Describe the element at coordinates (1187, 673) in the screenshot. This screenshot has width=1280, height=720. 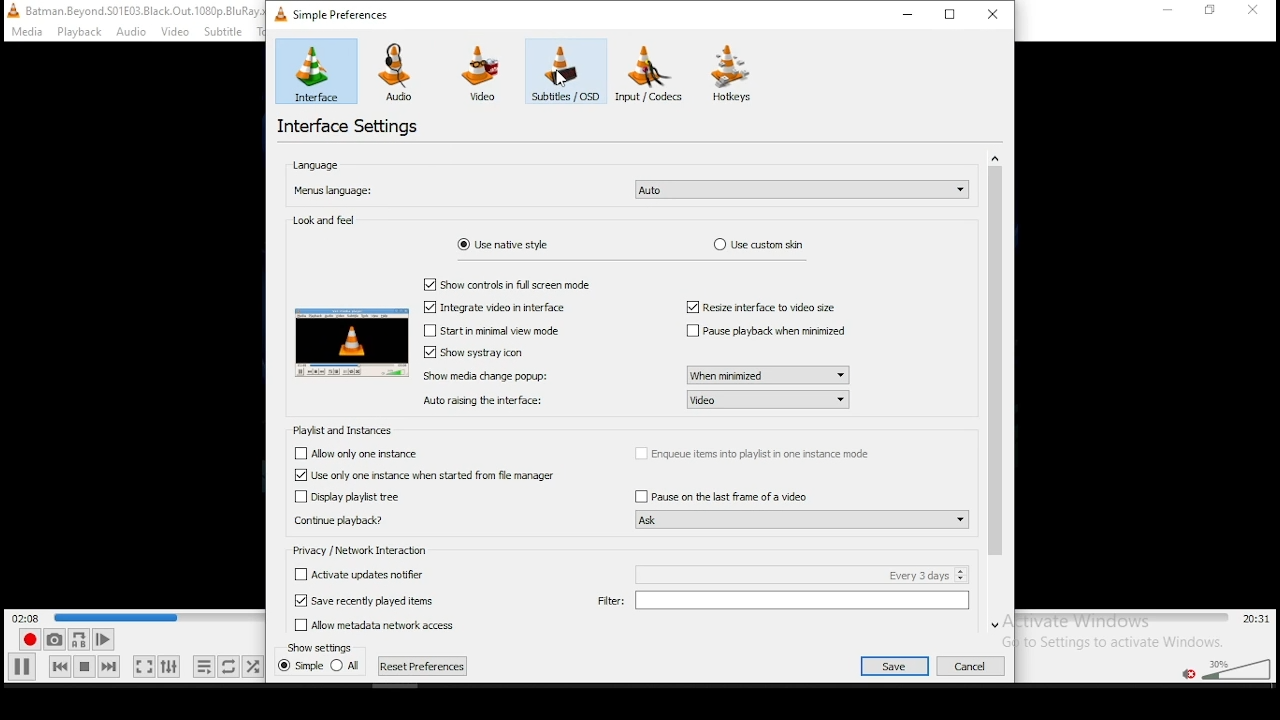
I see `mute/unmute` at that location.